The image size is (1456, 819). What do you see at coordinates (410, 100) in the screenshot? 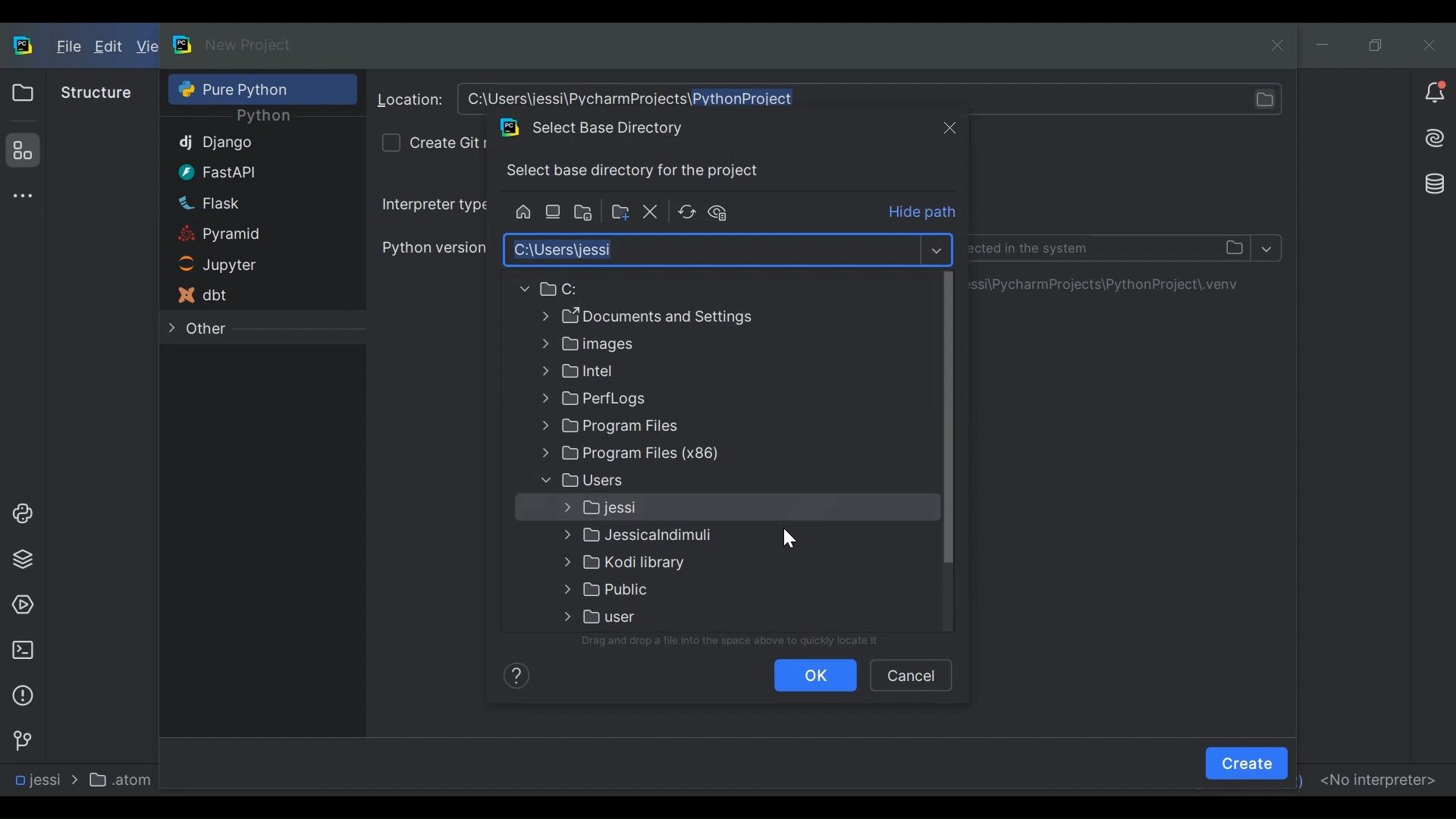
I see `Location` at bounding box center [410, 100].